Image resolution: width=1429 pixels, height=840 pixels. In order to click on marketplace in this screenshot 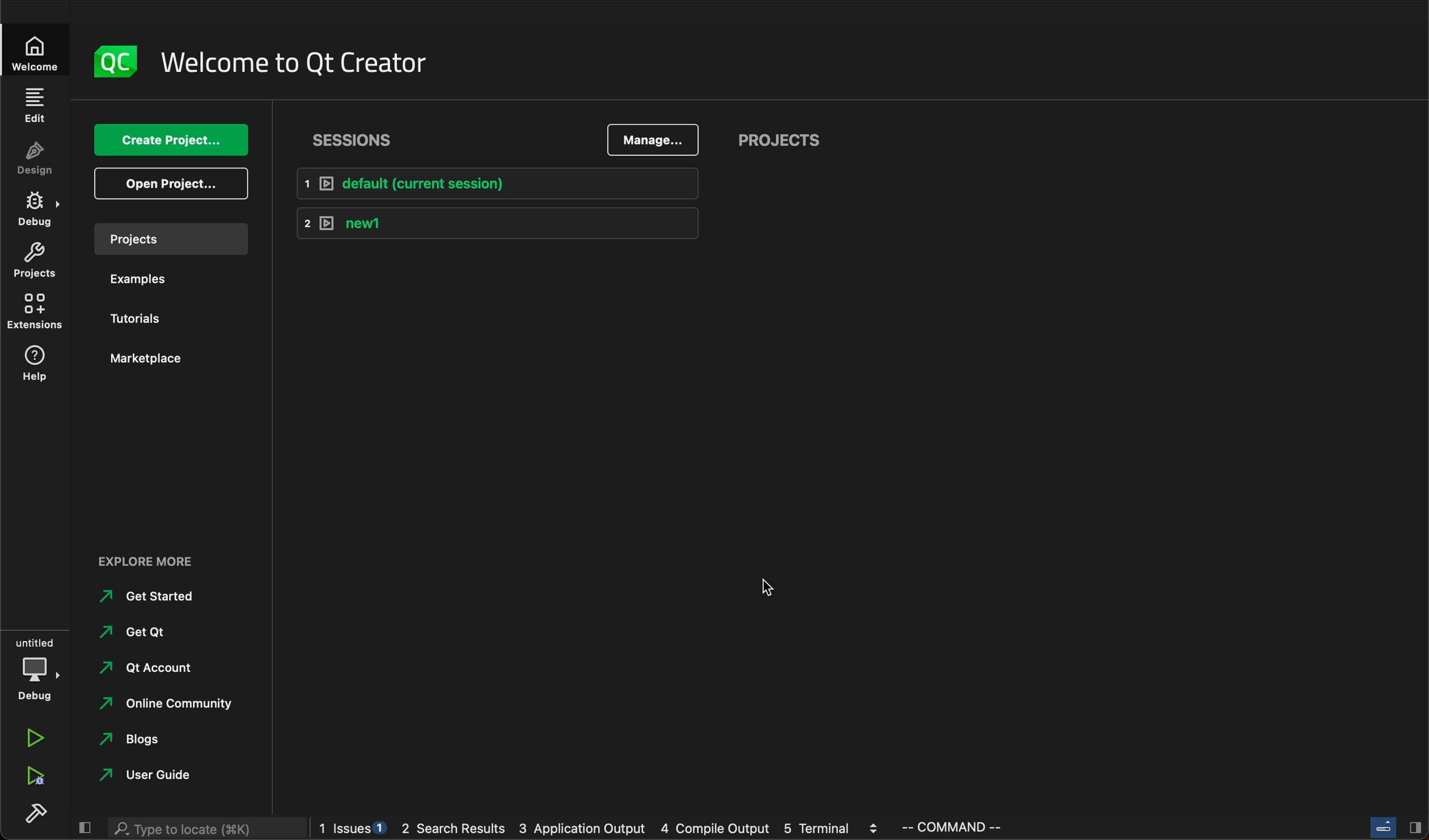, I will do `click(153, 360)`.